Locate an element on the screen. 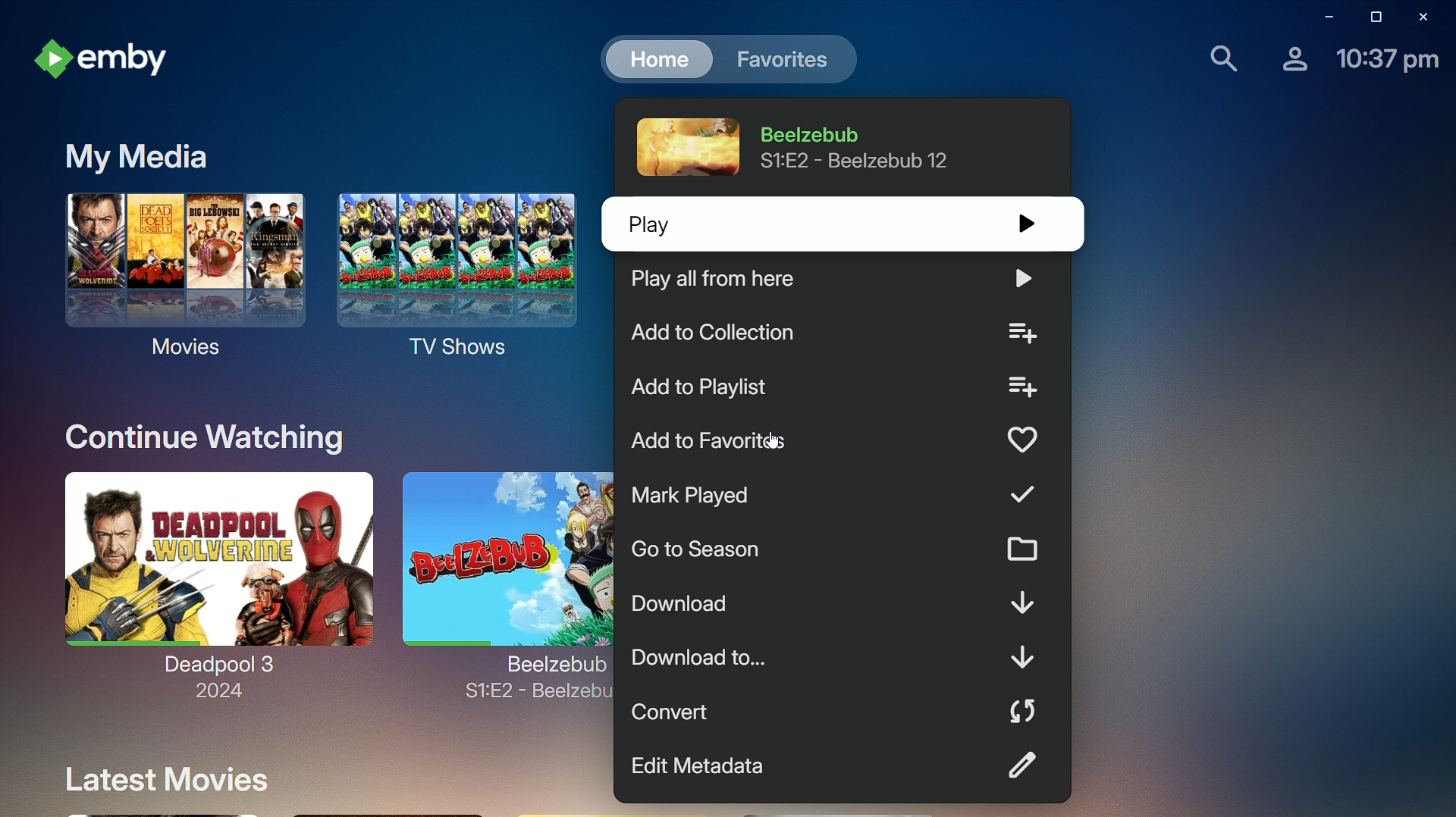 This screenshot has height=817, width=1456. Account is located at coordinates (1291, 58).